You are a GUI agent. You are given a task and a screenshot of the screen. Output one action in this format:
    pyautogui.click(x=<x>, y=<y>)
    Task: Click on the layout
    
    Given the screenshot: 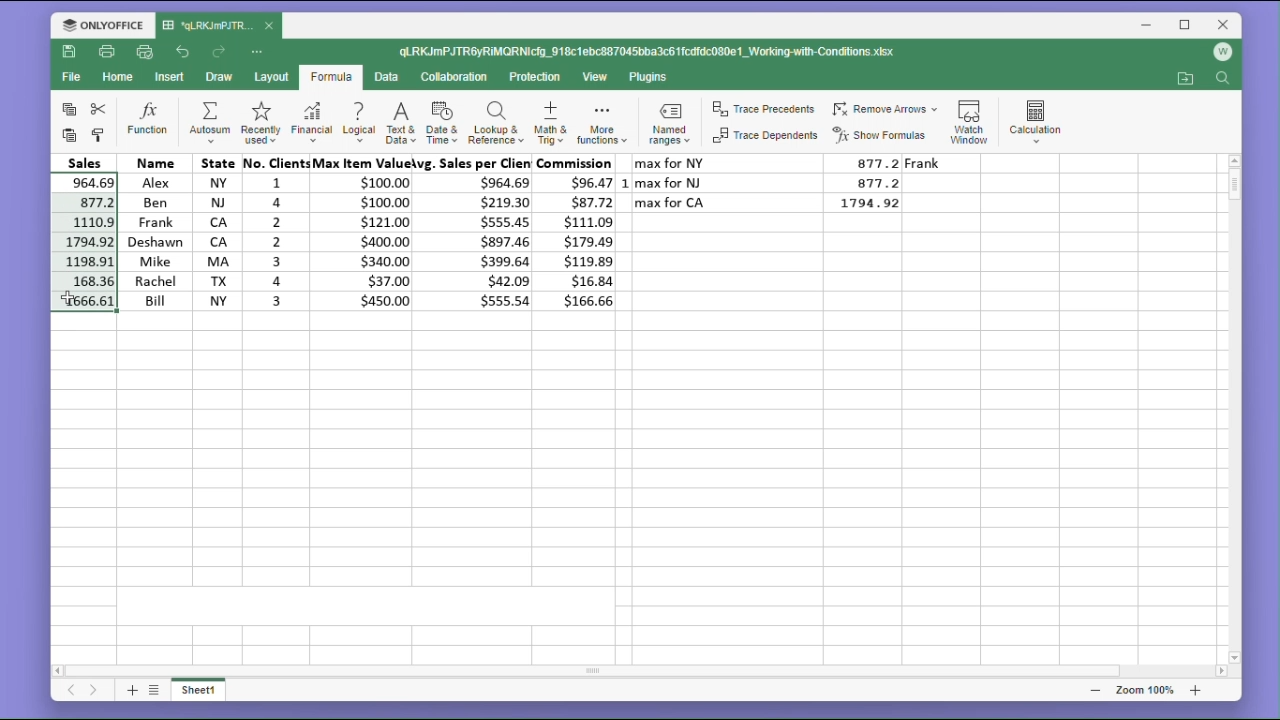 What is the action you would take?
    pyautogui.click(x=270, y=78)
    